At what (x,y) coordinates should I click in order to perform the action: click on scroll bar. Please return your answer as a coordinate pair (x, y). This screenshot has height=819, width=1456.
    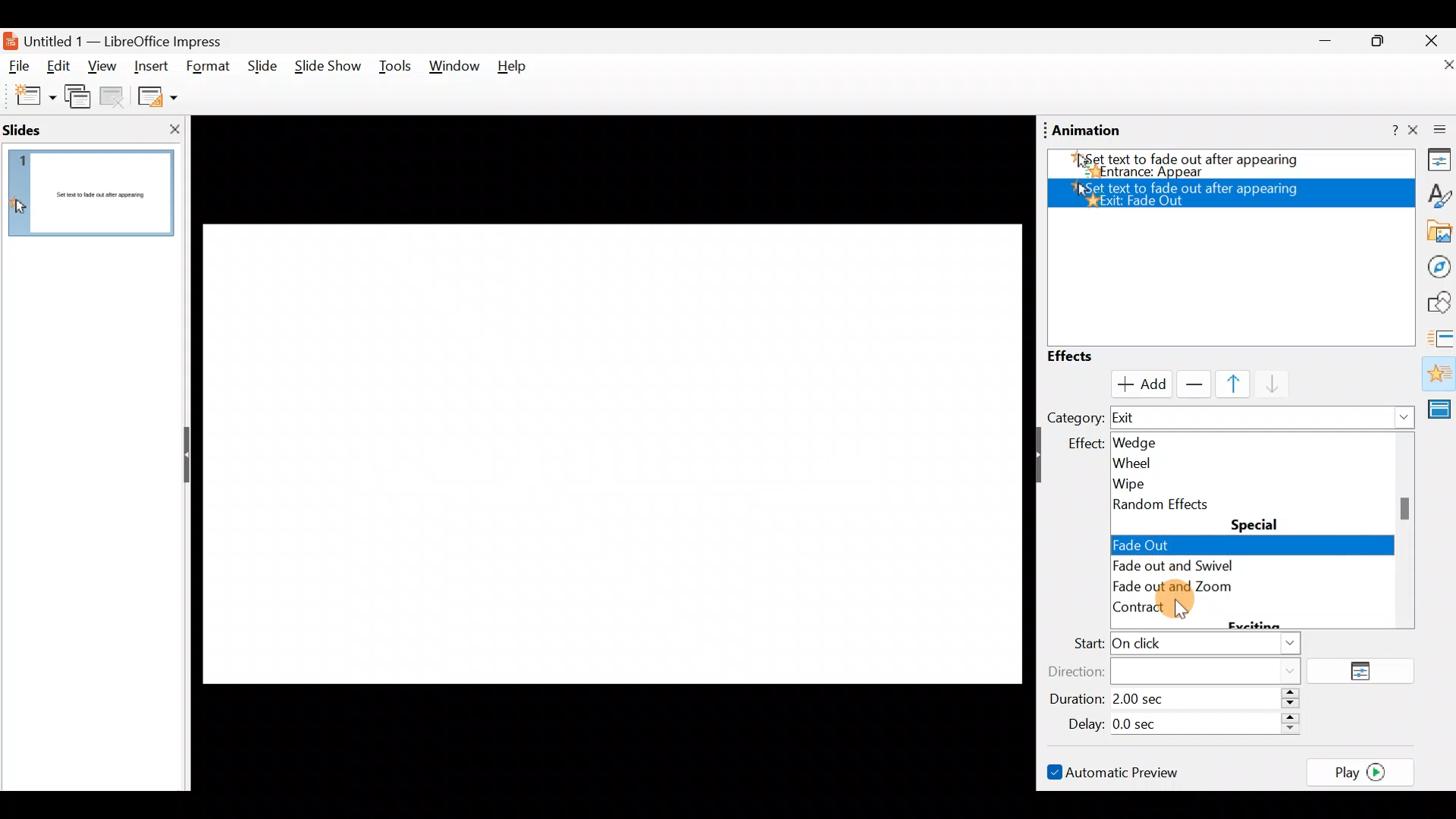
    Looking at the image, I should click on (1407, 507).